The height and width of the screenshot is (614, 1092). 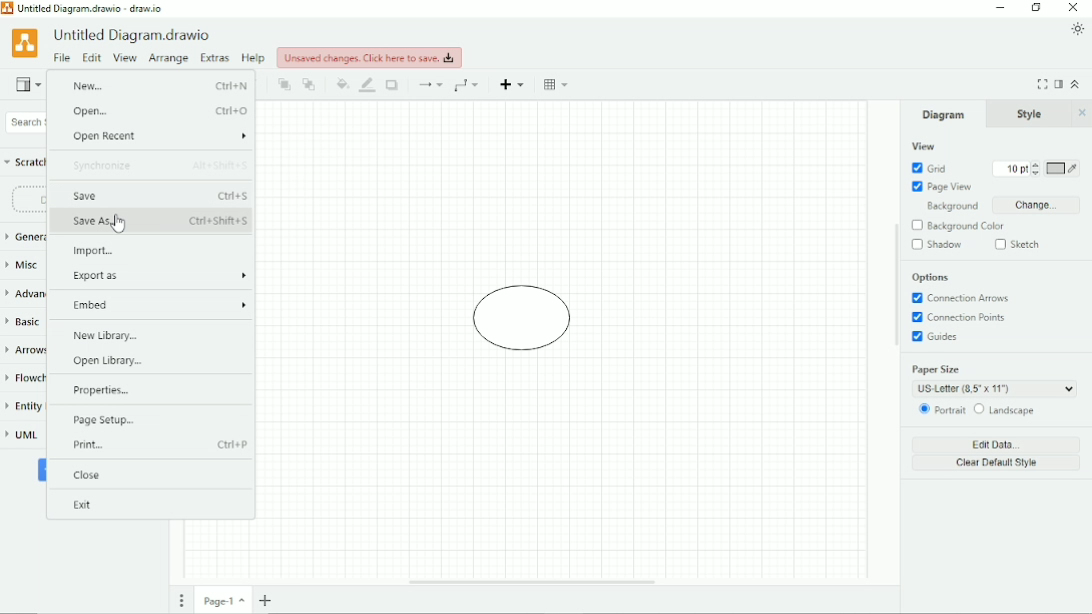 What do you see at coordinates (24, 405) in the screenshot?
I see `Entity Relation` at bounding box center [24, 405].